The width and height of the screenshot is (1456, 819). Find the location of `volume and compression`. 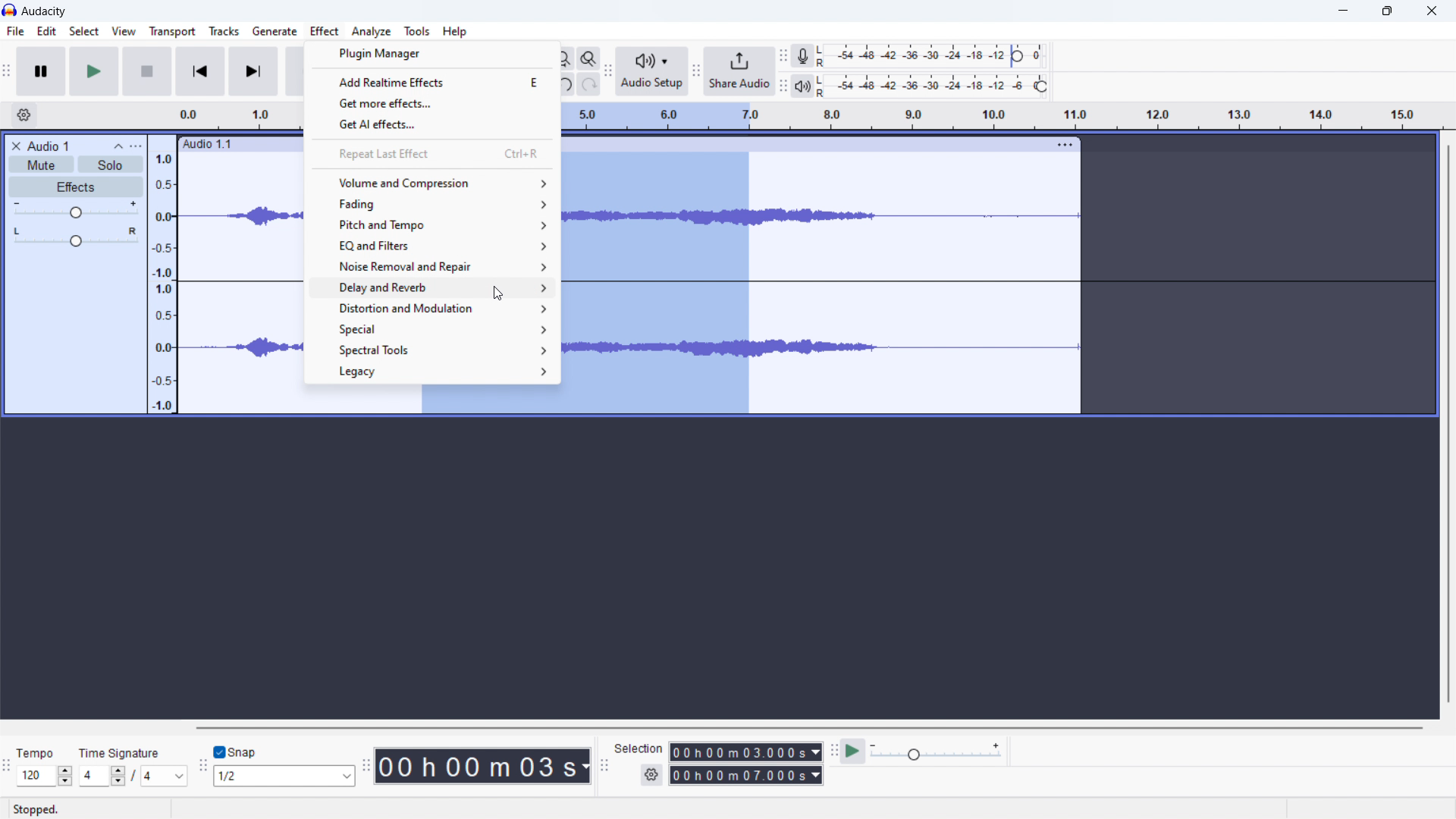

volume and compression is located at coordinates (431, 183).